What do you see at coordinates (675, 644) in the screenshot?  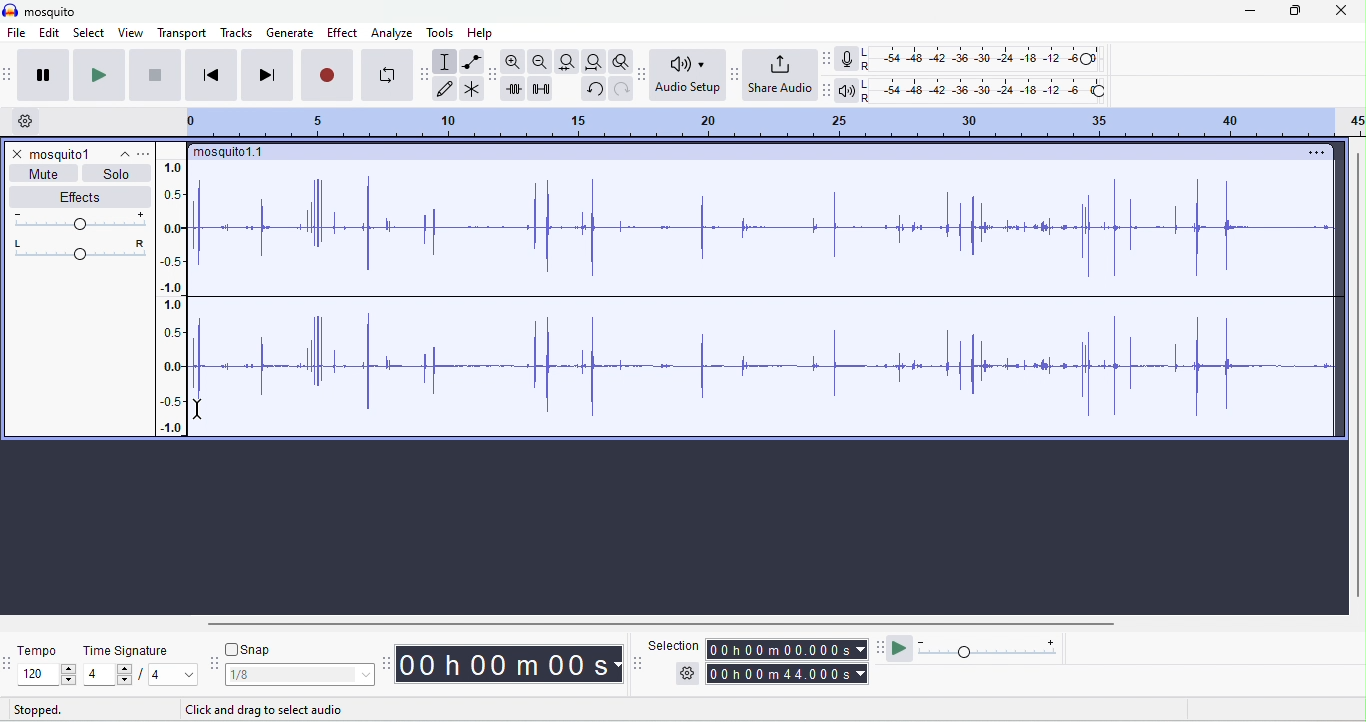 I see `selection` at bounding box center [675, 644].